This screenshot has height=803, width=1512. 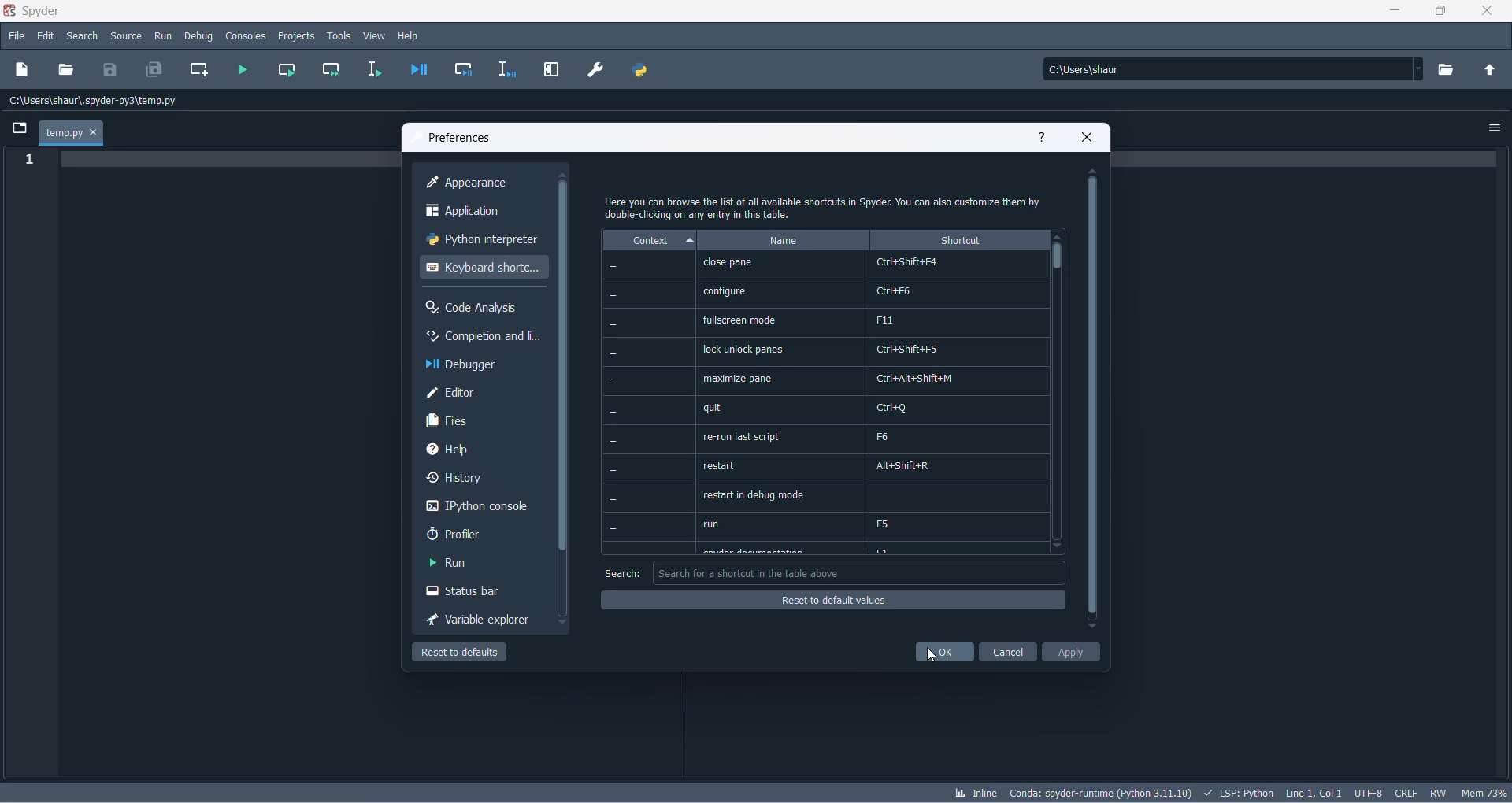 I want to click on run current cell, so click(x=287, y=68).